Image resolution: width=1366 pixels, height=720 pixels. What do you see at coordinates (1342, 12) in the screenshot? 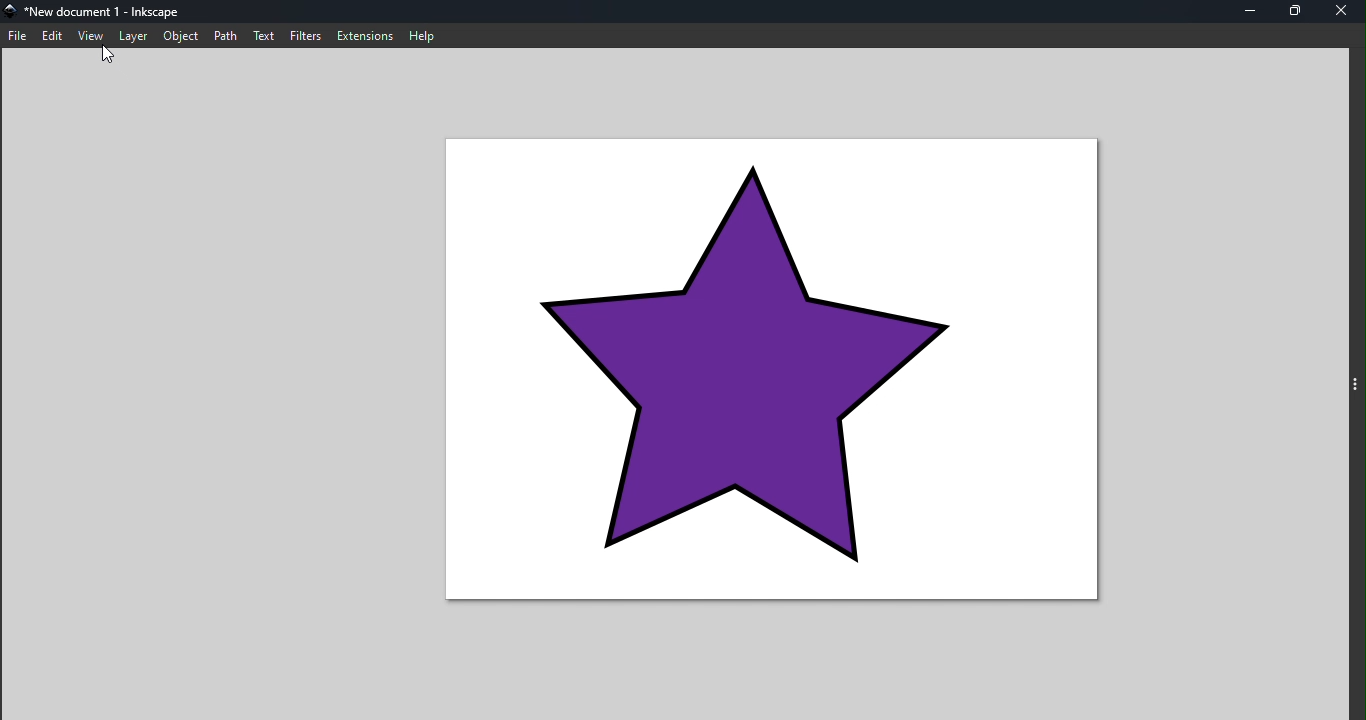
I see `Close` at bounding box center [1342, 12].